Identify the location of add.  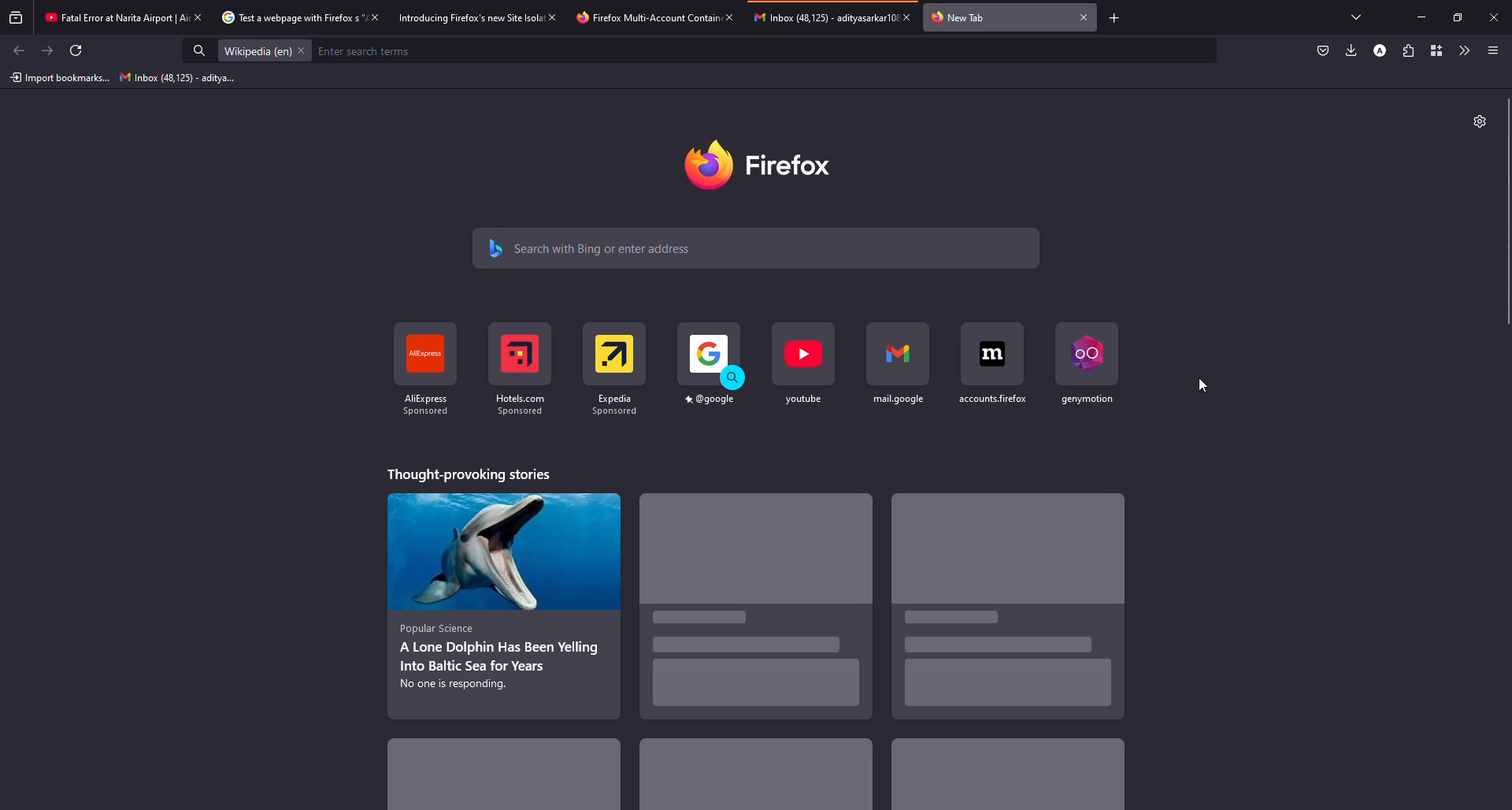
(1116, 18).